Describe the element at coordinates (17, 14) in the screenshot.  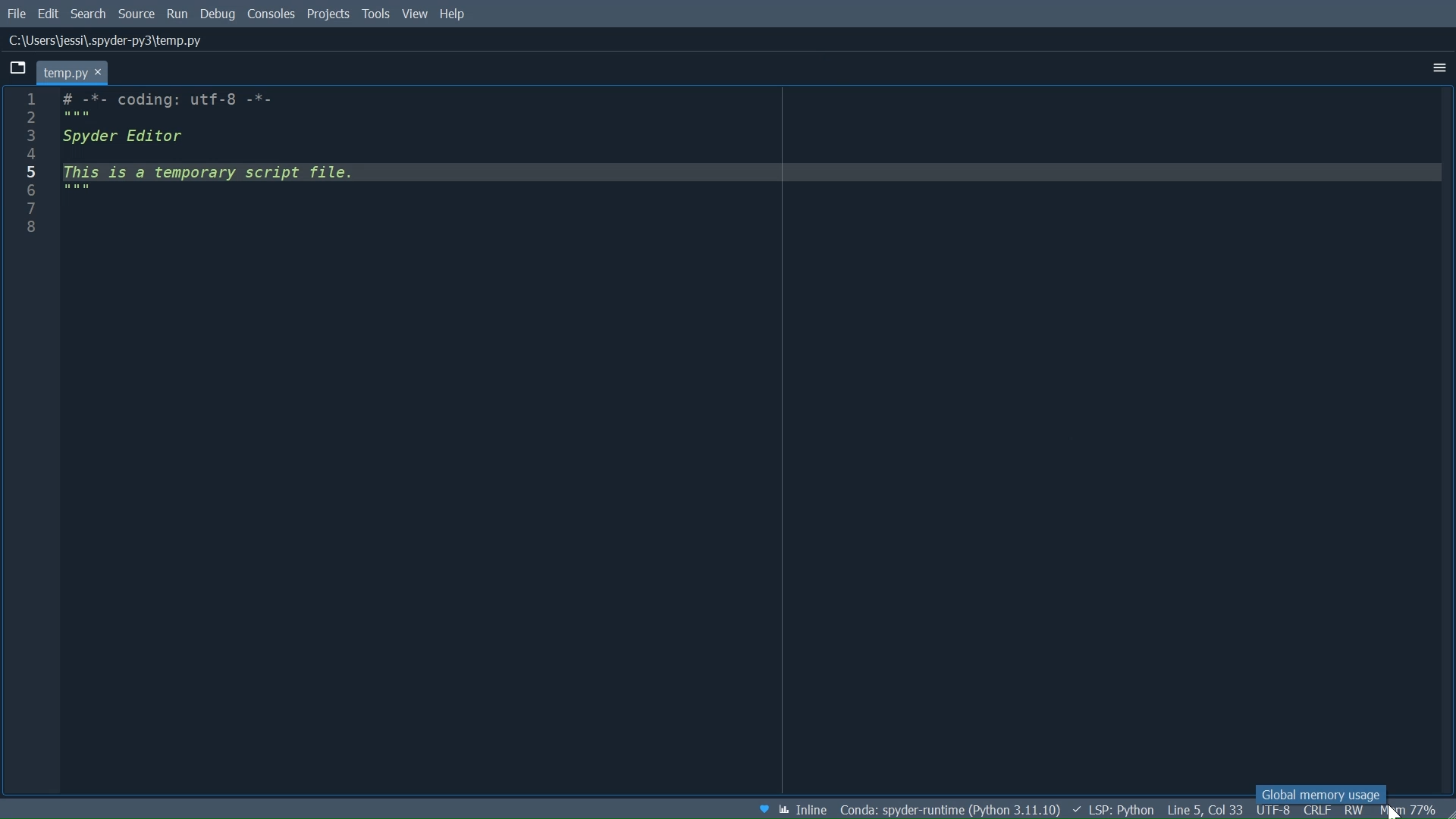
I see `File` at that location.